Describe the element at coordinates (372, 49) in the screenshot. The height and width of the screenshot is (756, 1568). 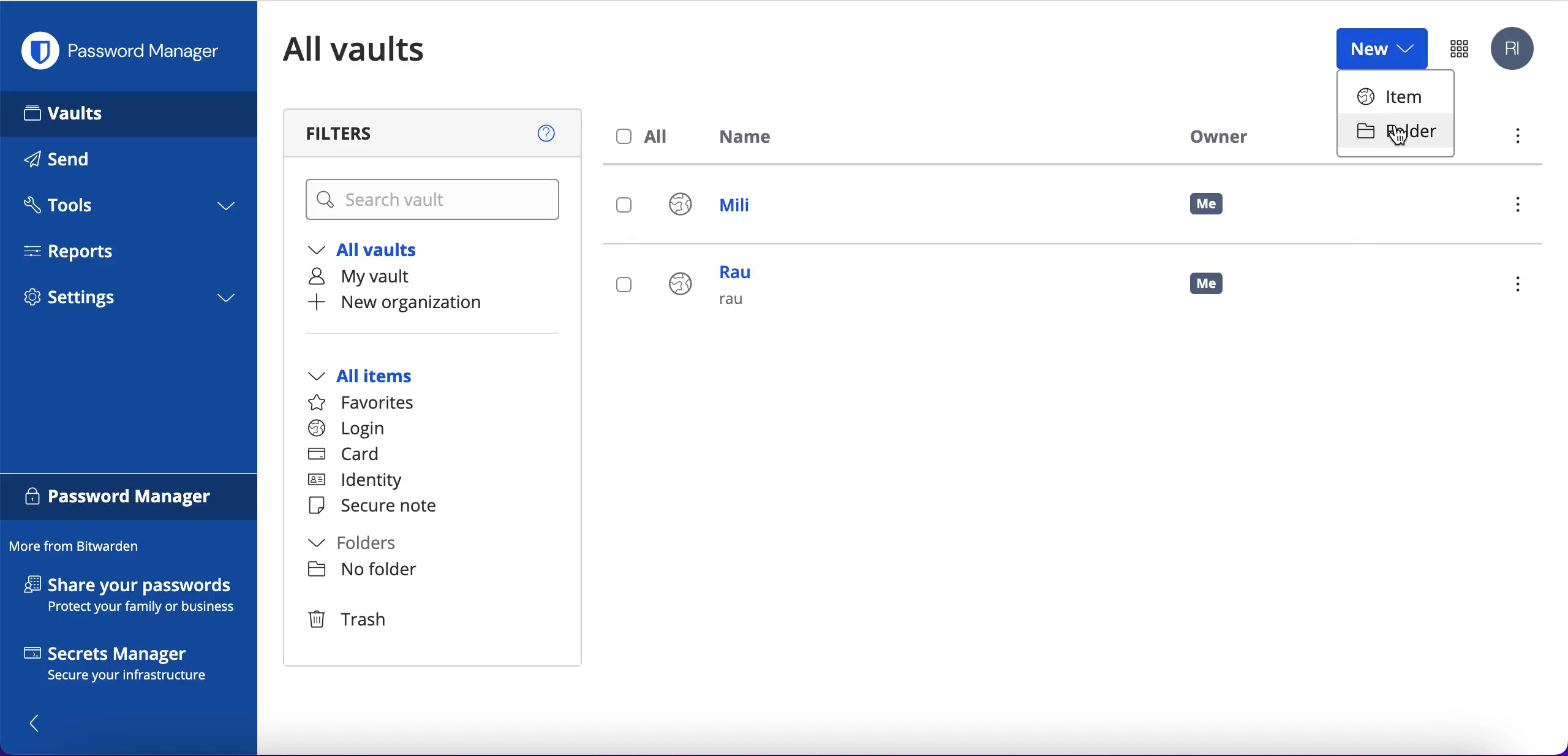
I see `all vaults` at that location.